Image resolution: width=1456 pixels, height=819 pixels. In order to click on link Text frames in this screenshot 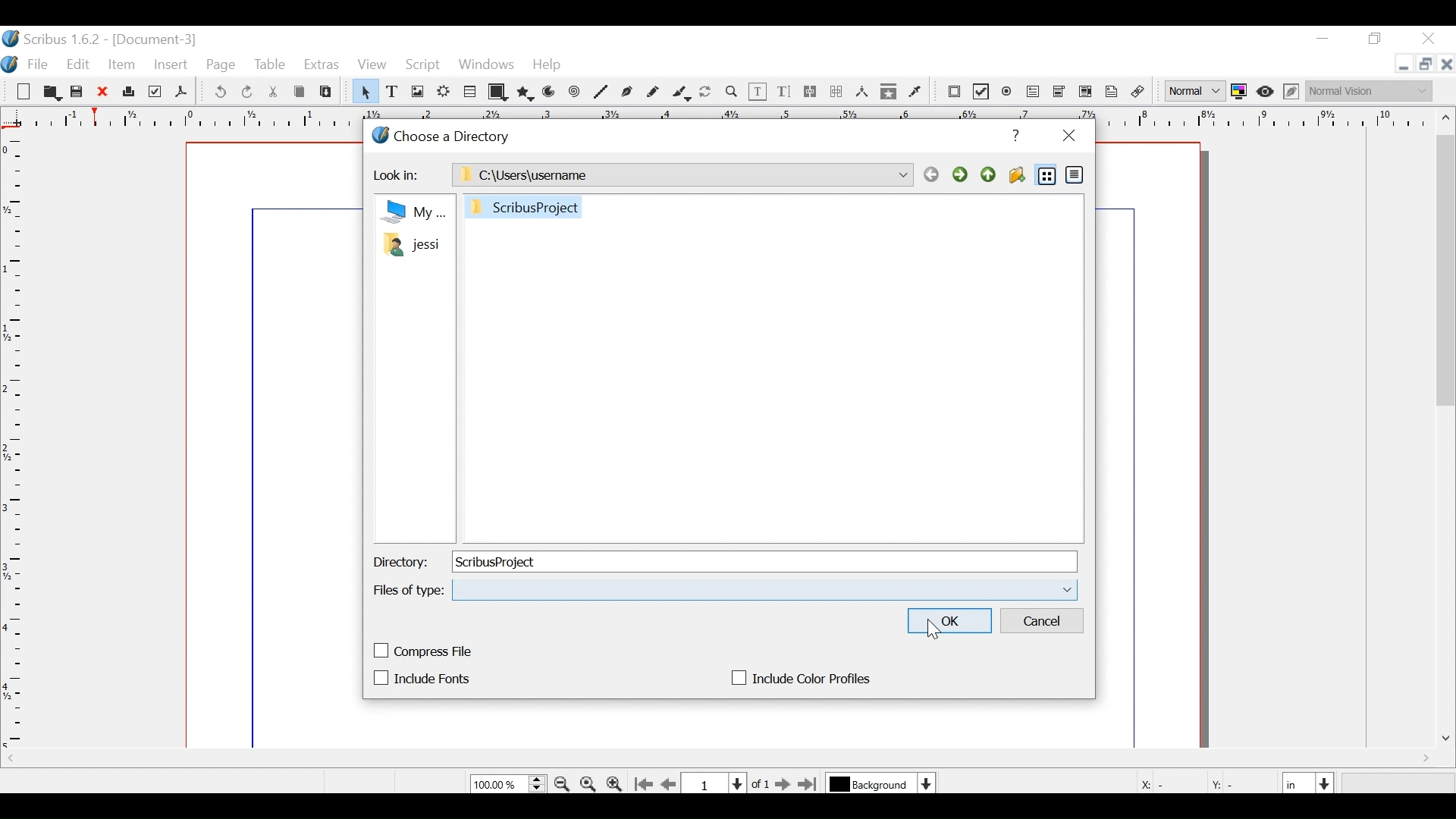, I will do `click(811, 93)`.